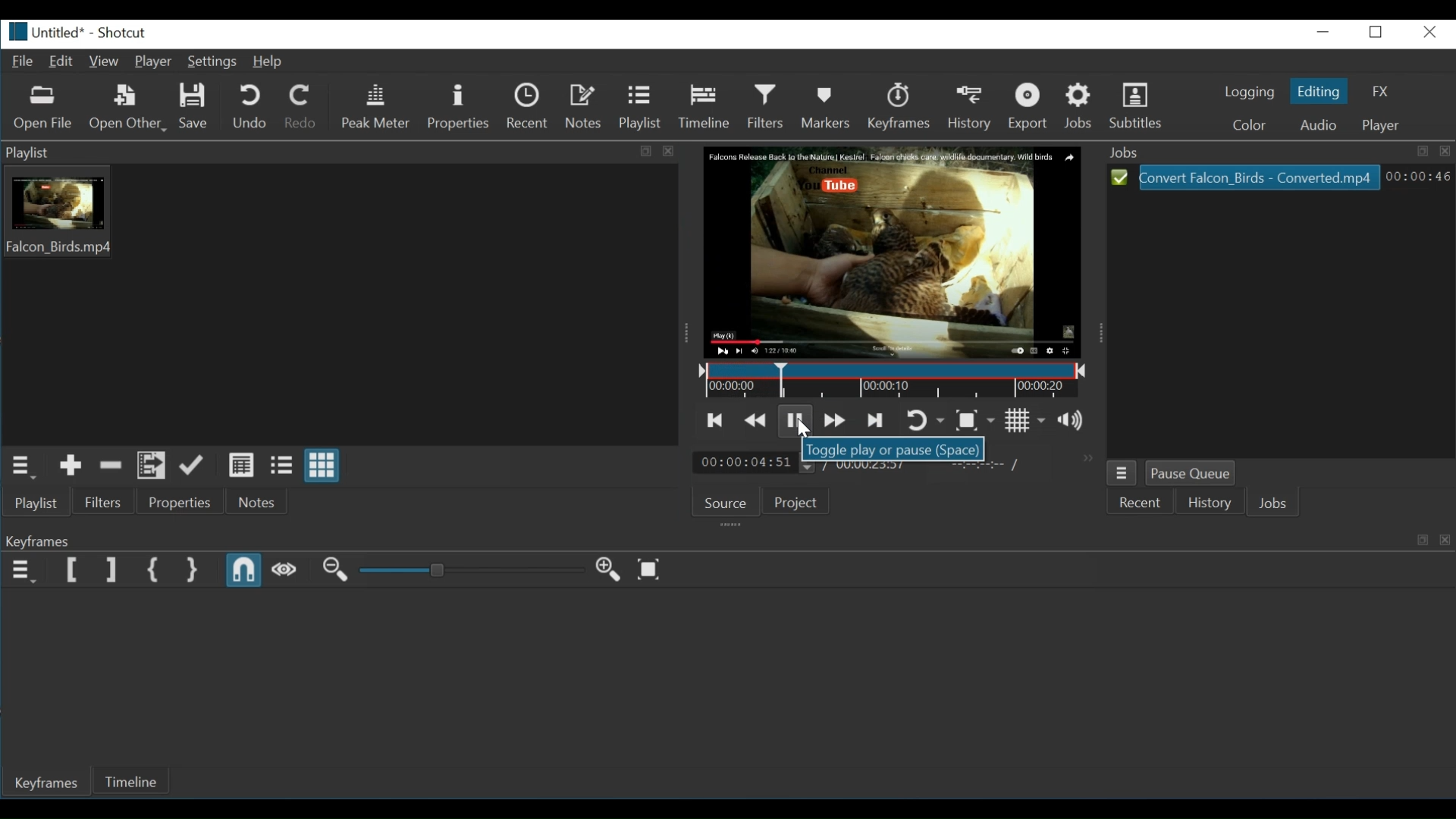 The image size is (1456, 819). Describe the element at coordinates (457, 106) in the screenshot. I see `Properties` at that location.